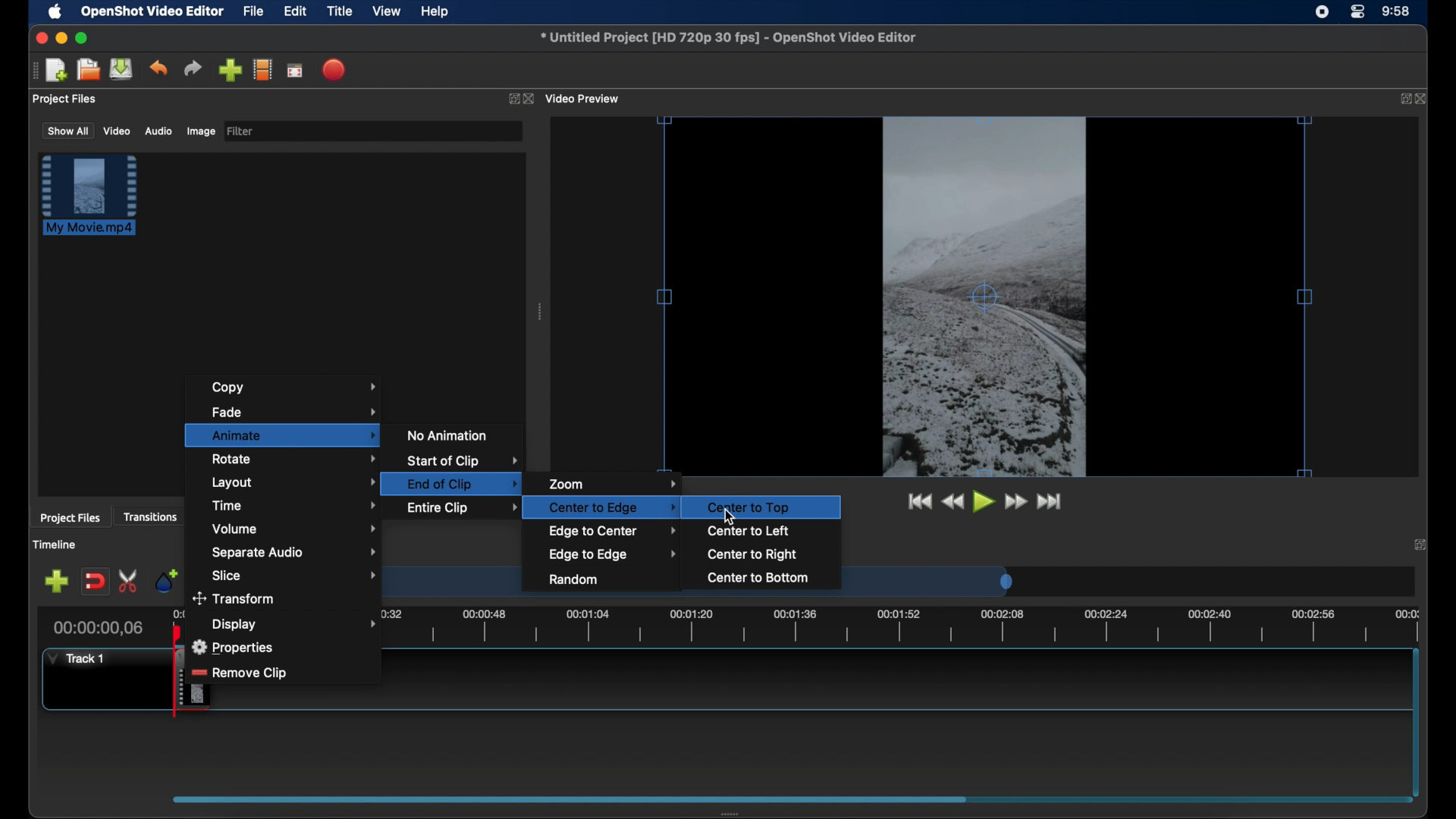  I want to click on file, so click(254, 12).